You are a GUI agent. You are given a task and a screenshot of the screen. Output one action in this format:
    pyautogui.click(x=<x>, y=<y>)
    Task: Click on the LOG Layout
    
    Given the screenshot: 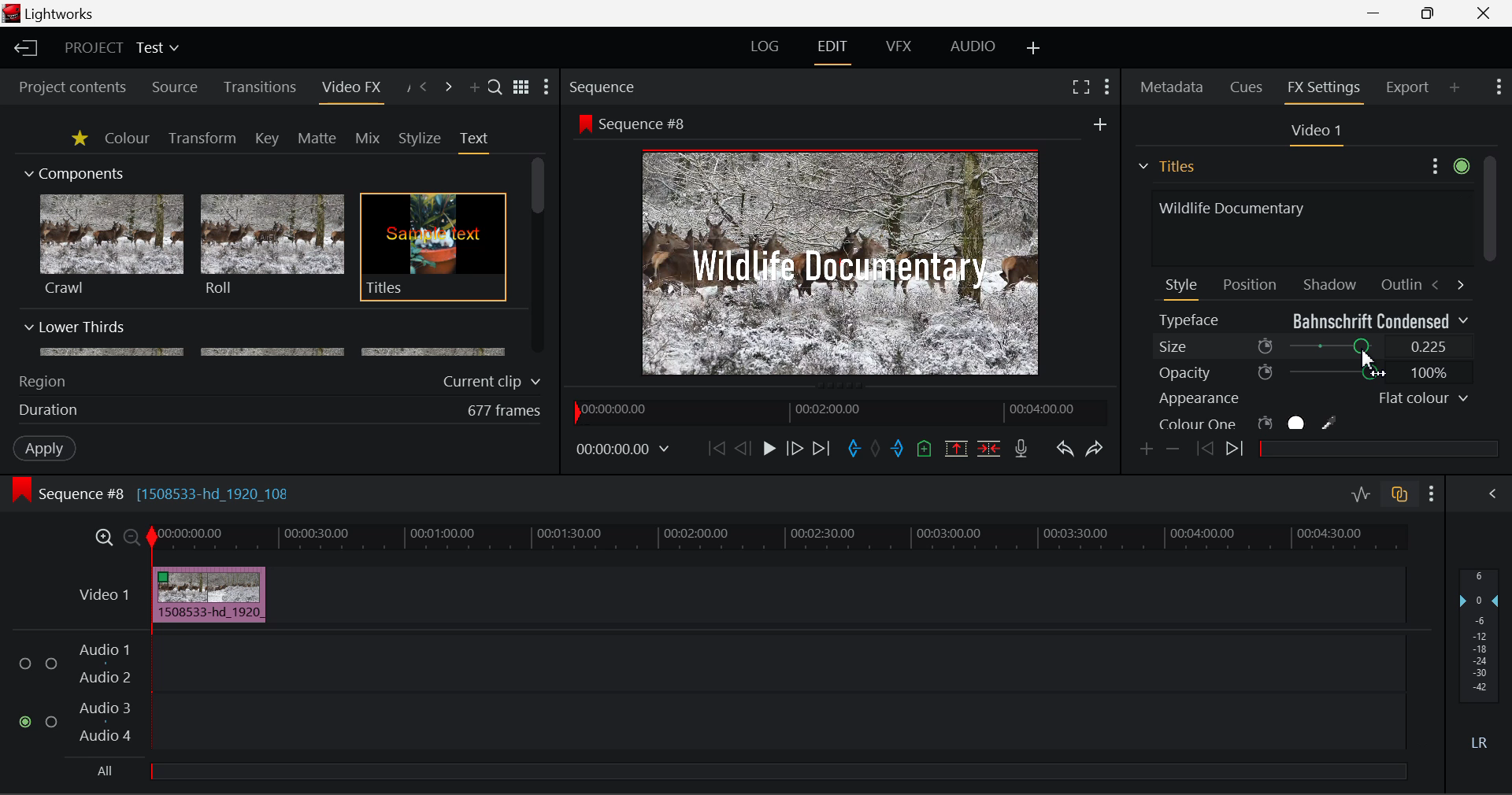 What is the action you would take?
    pyautogui.click(x=765, y=46)
    